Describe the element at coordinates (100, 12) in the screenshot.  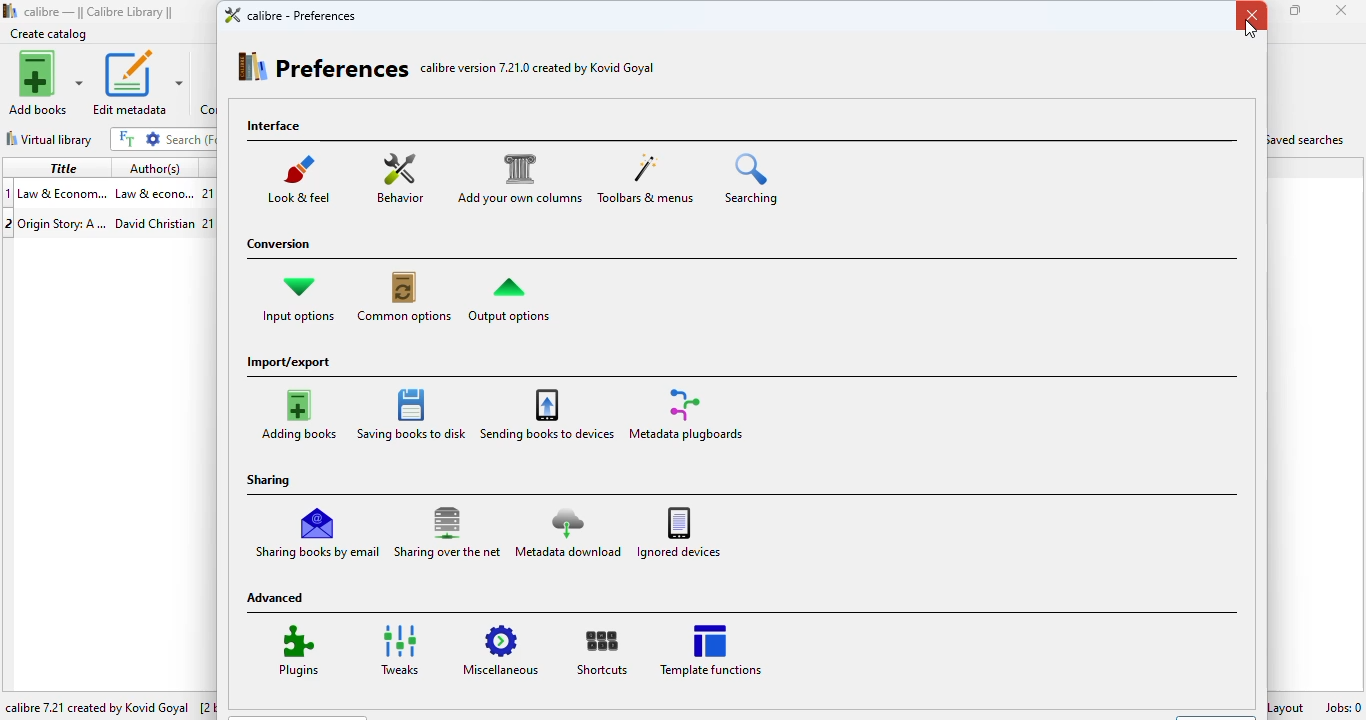
I see `calibre library` at that location.